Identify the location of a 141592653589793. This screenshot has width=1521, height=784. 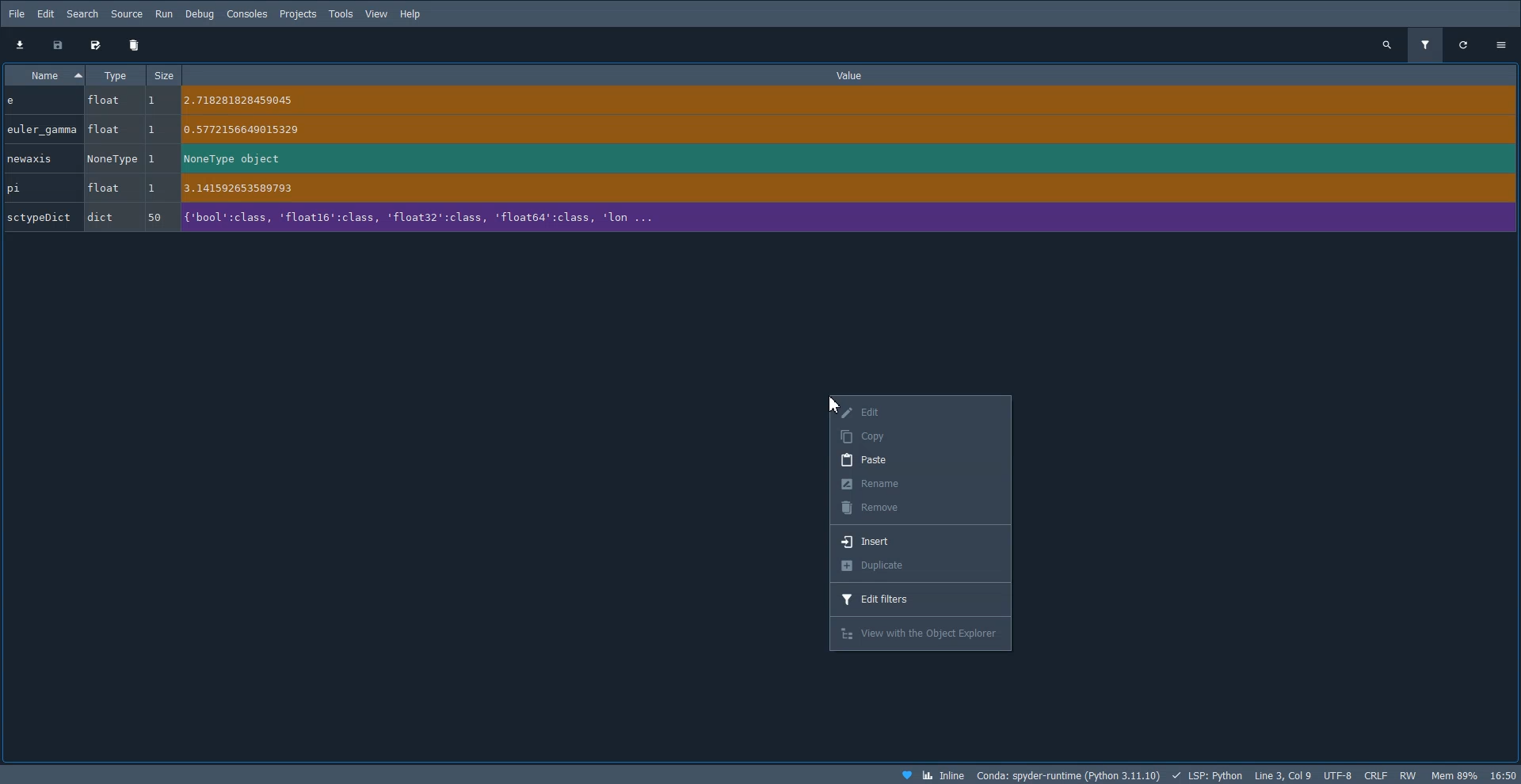
(250, 188).